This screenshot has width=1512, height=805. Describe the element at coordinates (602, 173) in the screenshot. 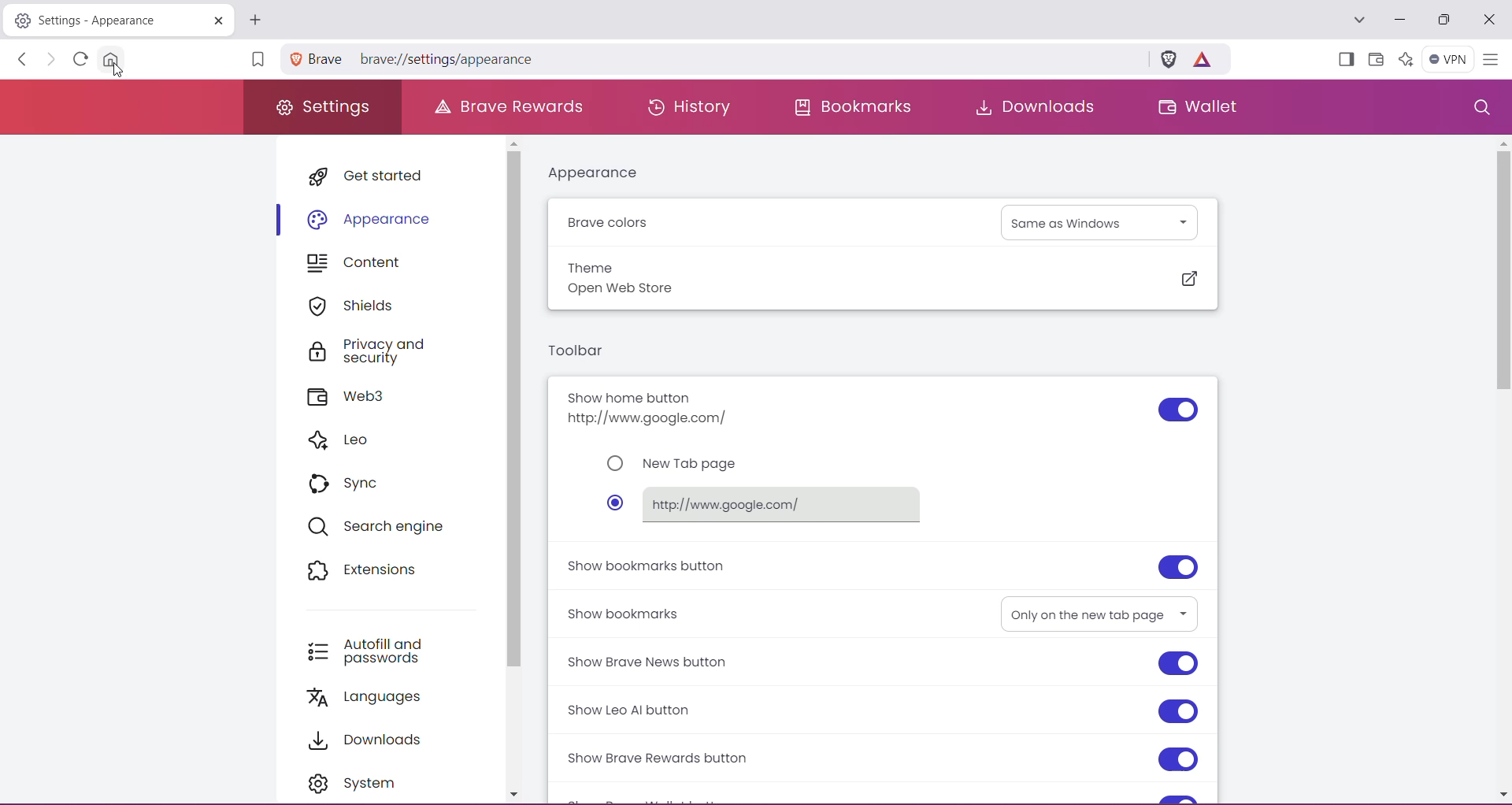

I see `Appearance` at that location.